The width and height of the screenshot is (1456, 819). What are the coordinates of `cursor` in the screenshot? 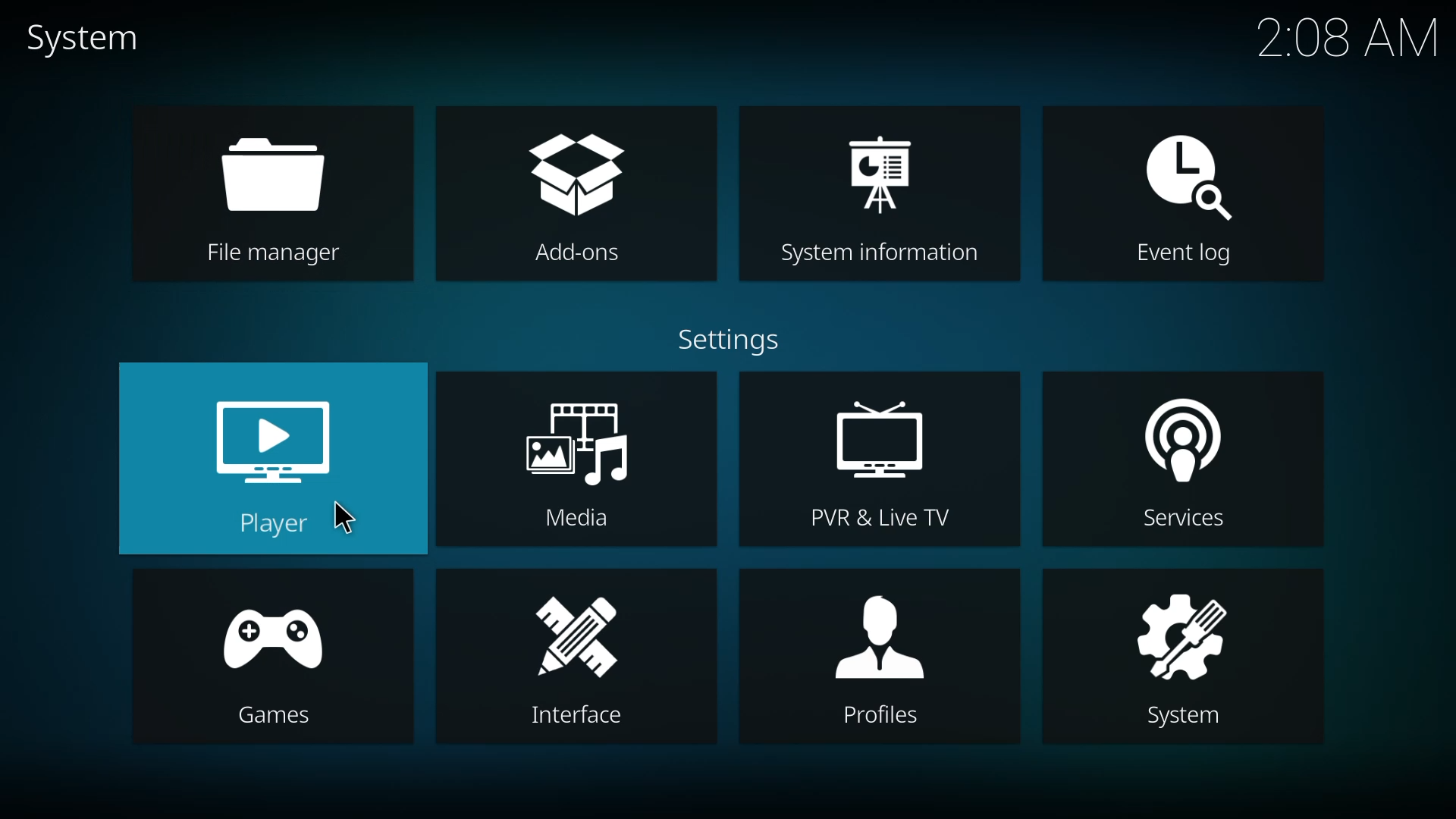 It's located at (344, 515).